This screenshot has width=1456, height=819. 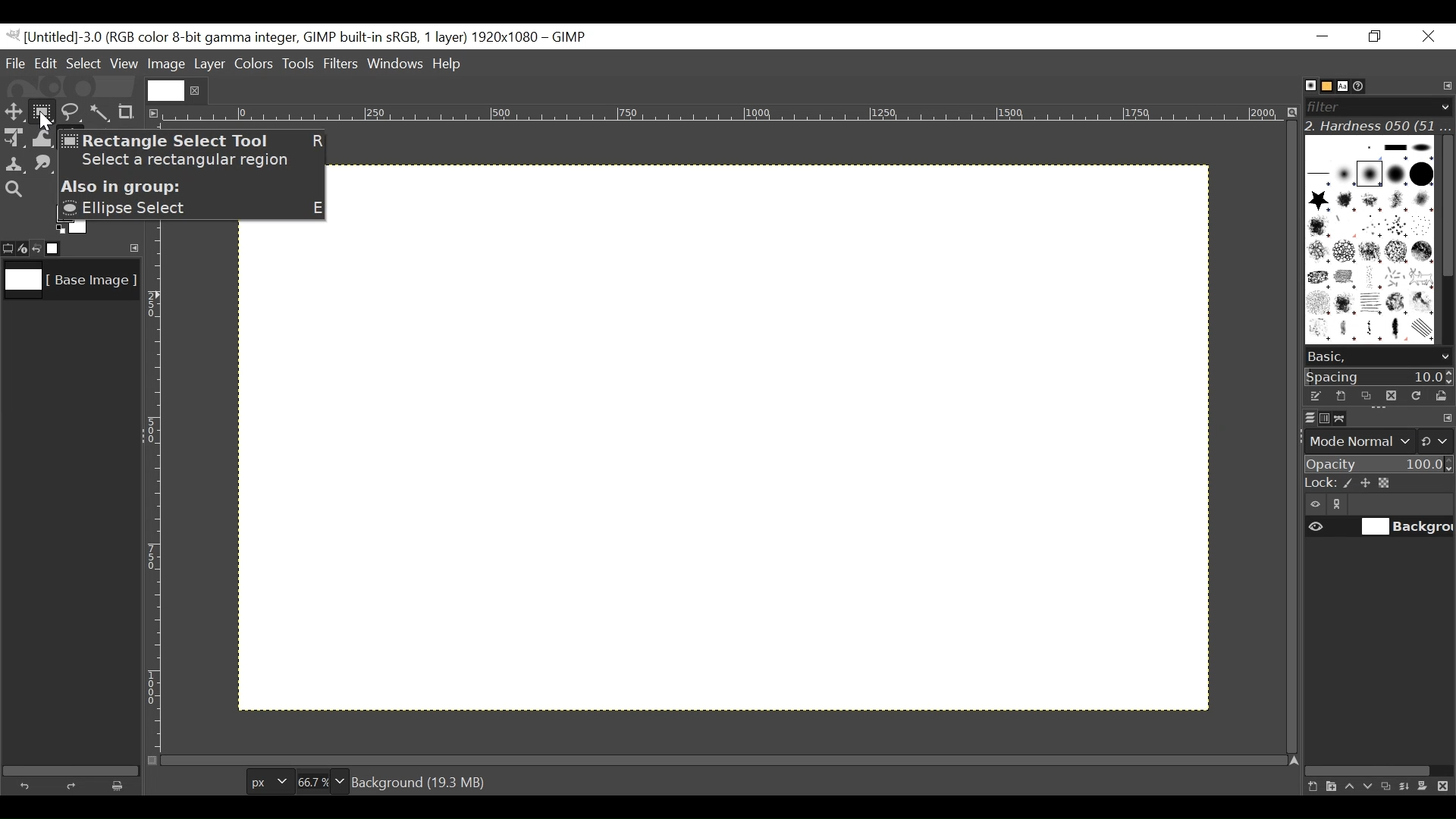 I want to click on Vertical scroll bar, so click(x=1445, y=204).